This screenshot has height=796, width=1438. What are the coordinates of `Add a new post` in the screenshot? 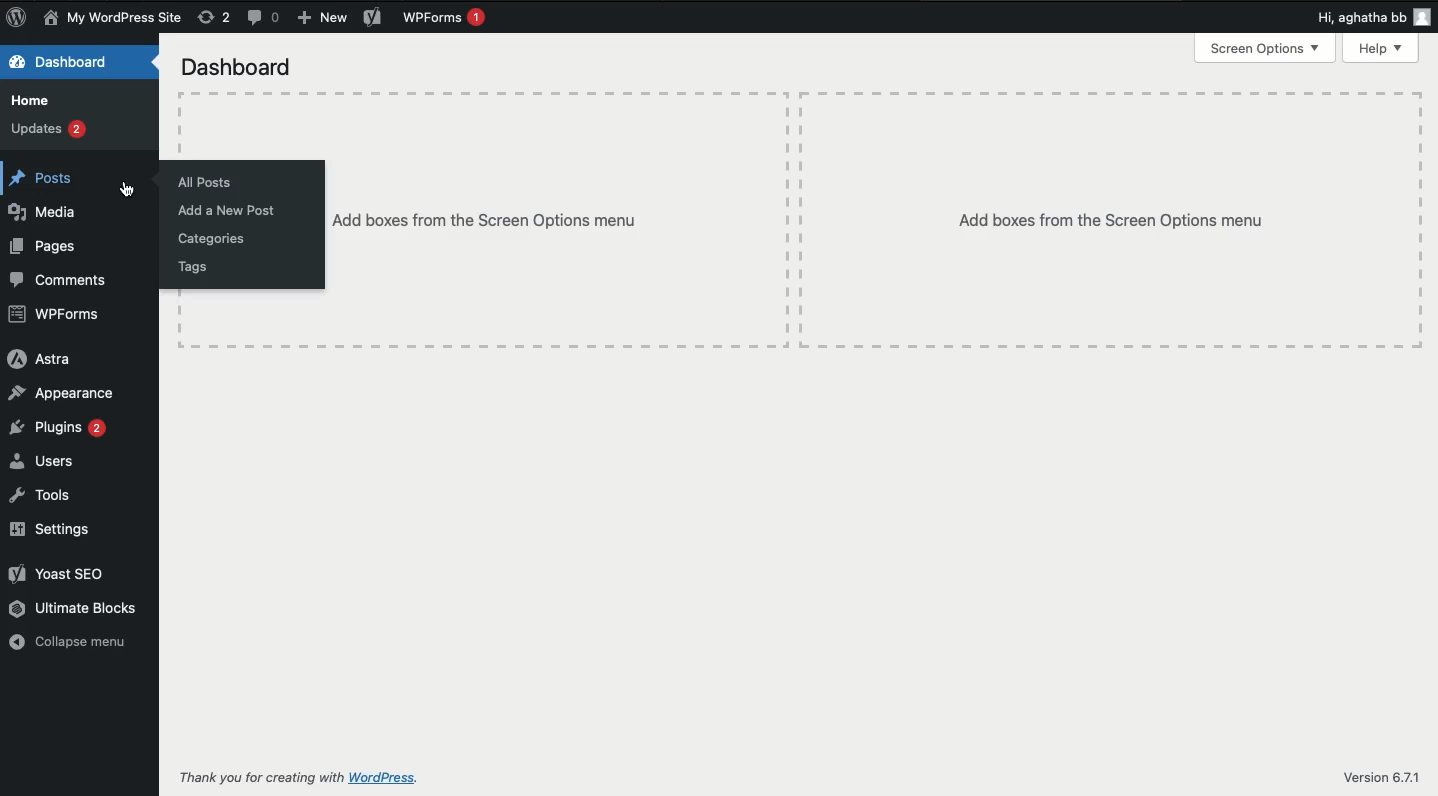 It's located at (231, 212).